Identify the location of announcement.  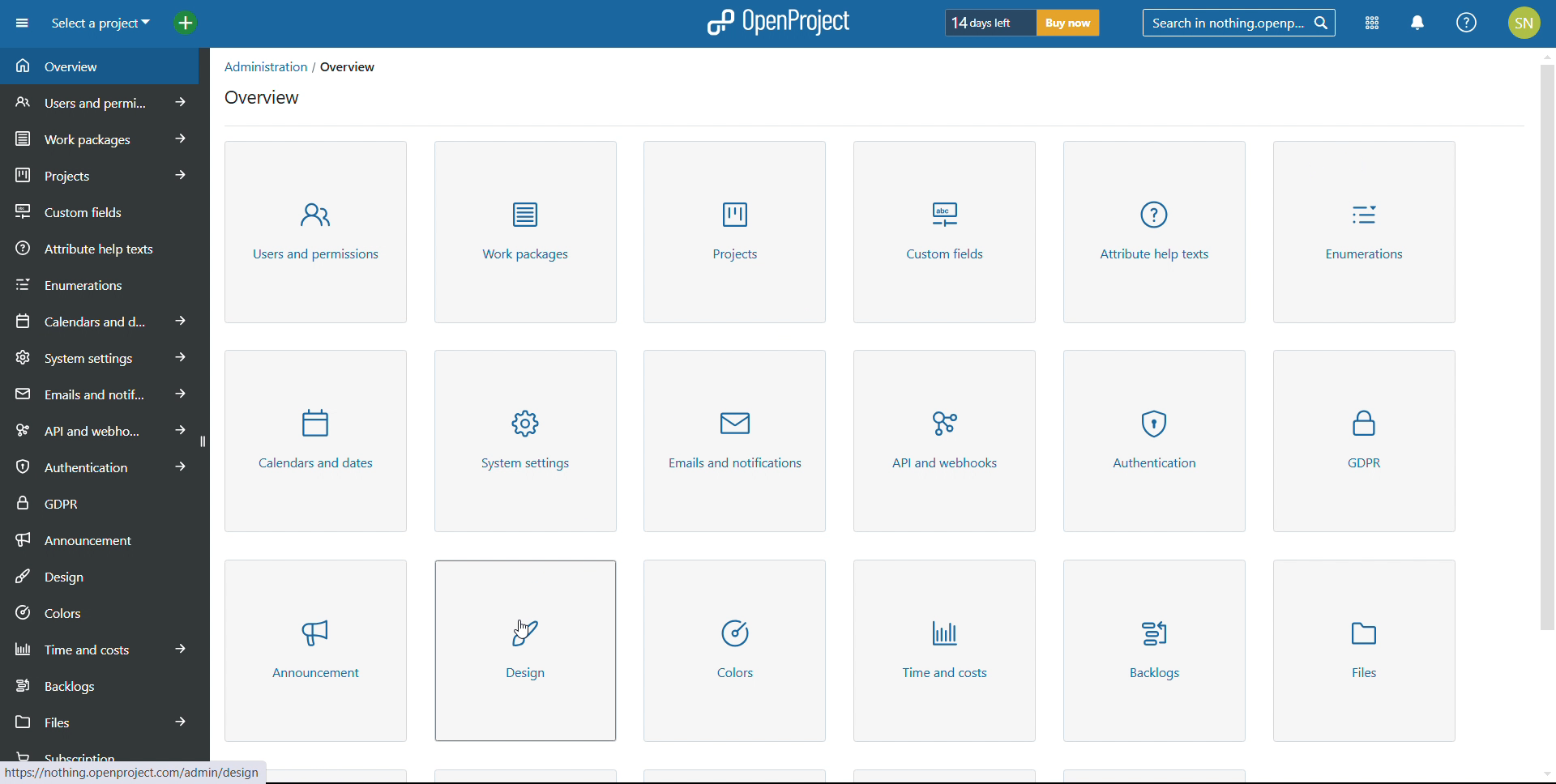
(104, 538).